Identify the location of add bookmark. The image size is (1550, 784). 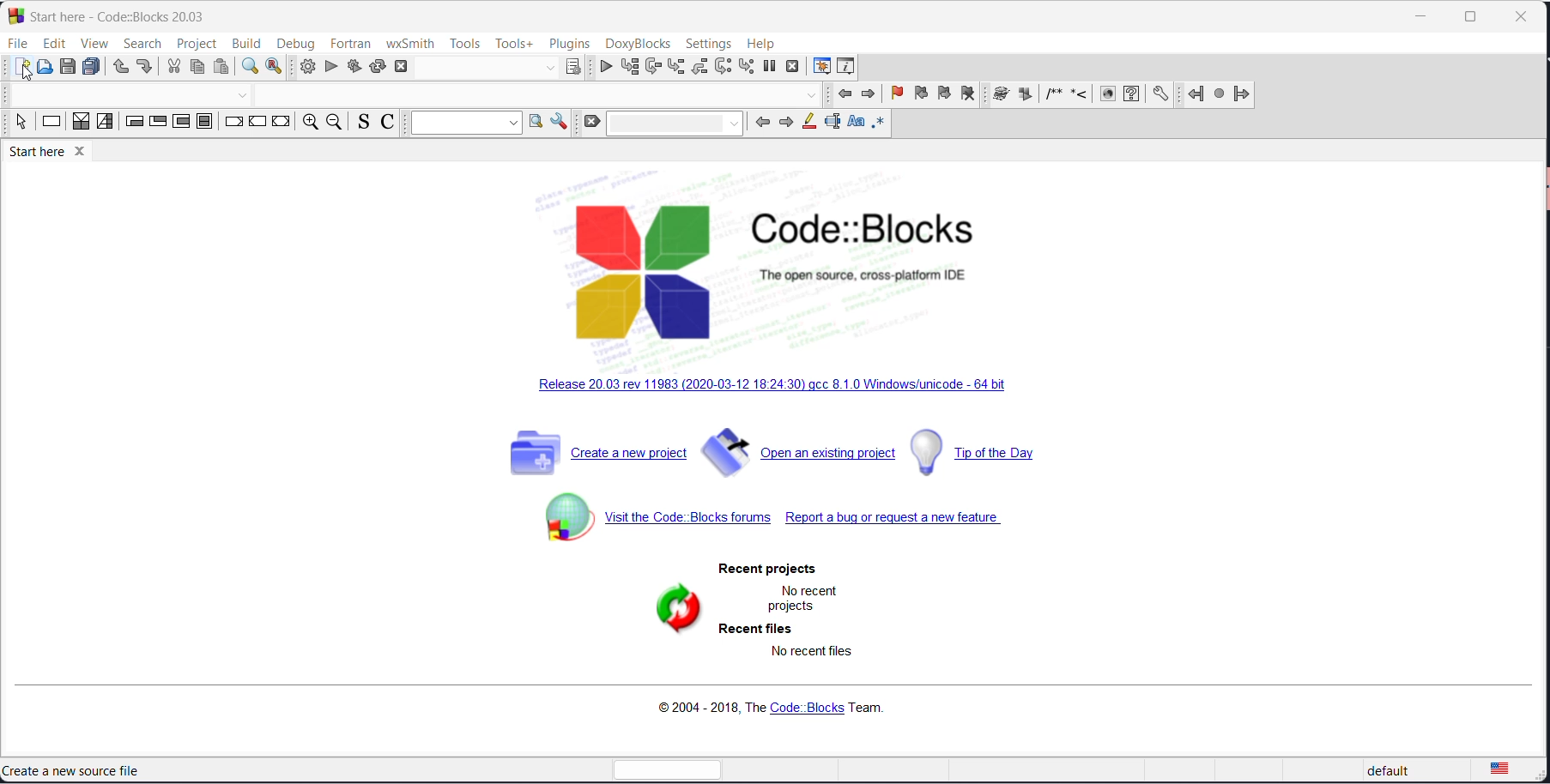
(892, 96).